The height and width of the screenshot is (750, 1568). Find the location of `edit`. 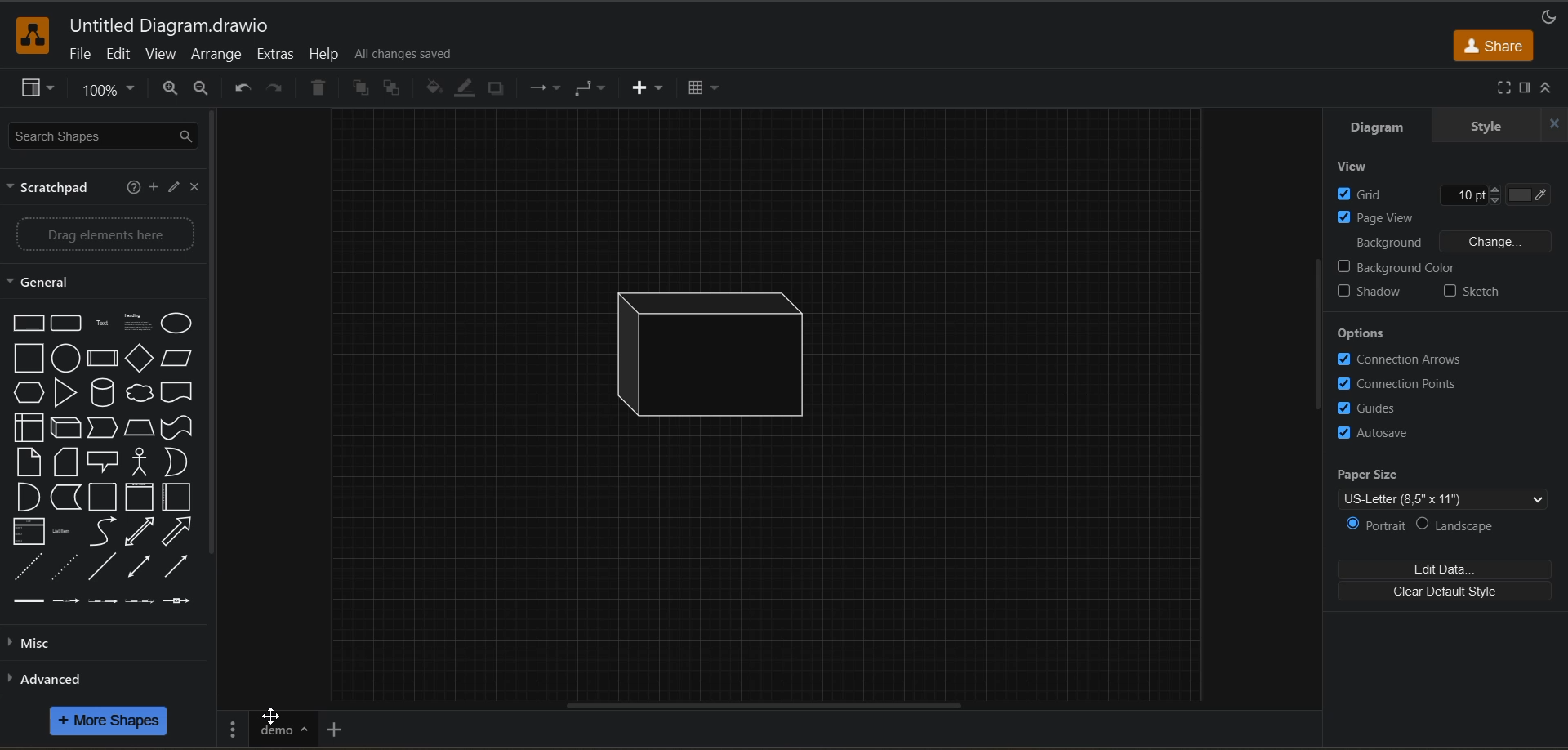

edit is located at coordinates (171, 189).